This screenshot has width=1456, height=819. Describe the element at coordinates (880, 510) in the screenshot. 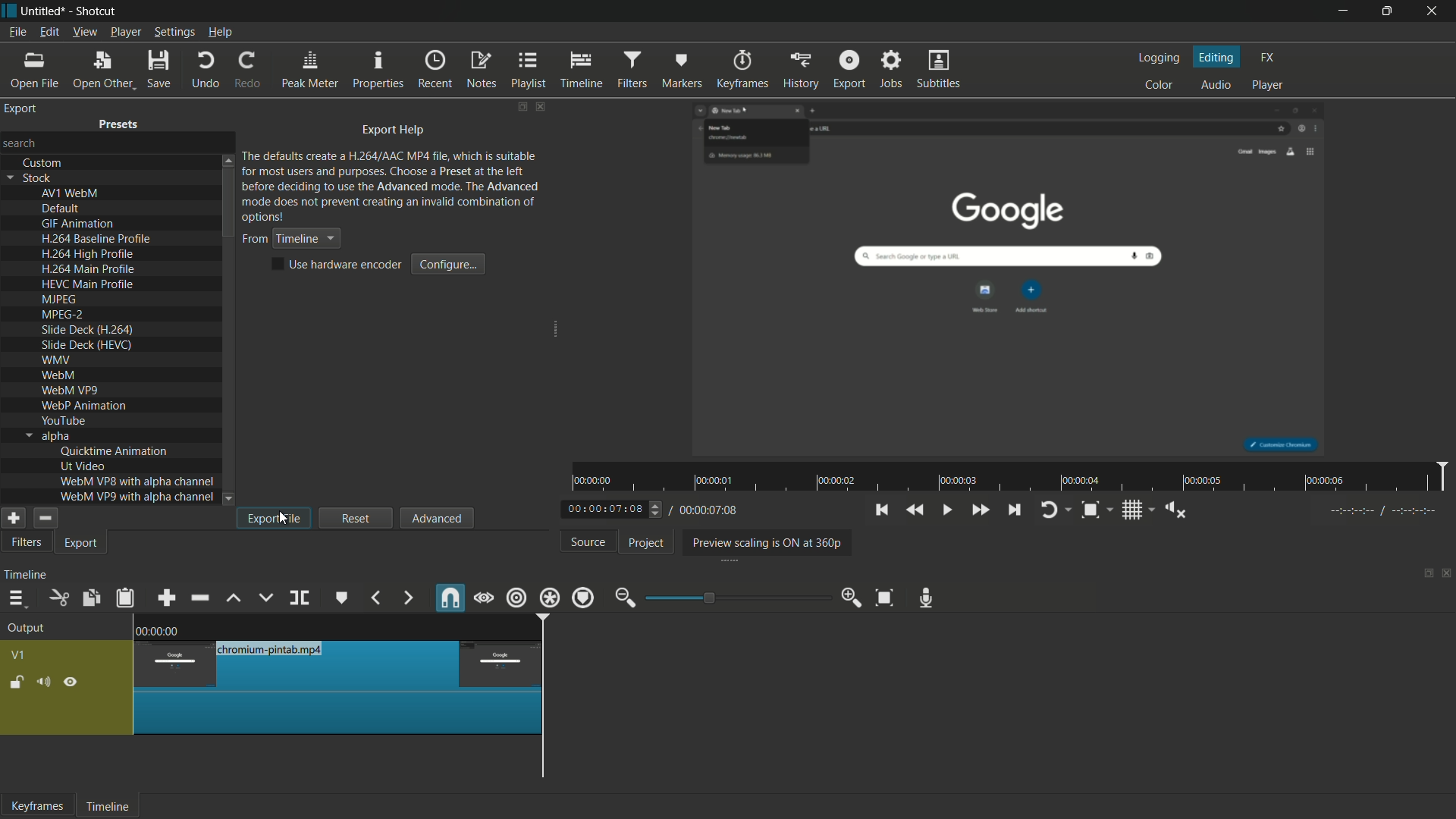

I see `skip to the previous point` at that location.